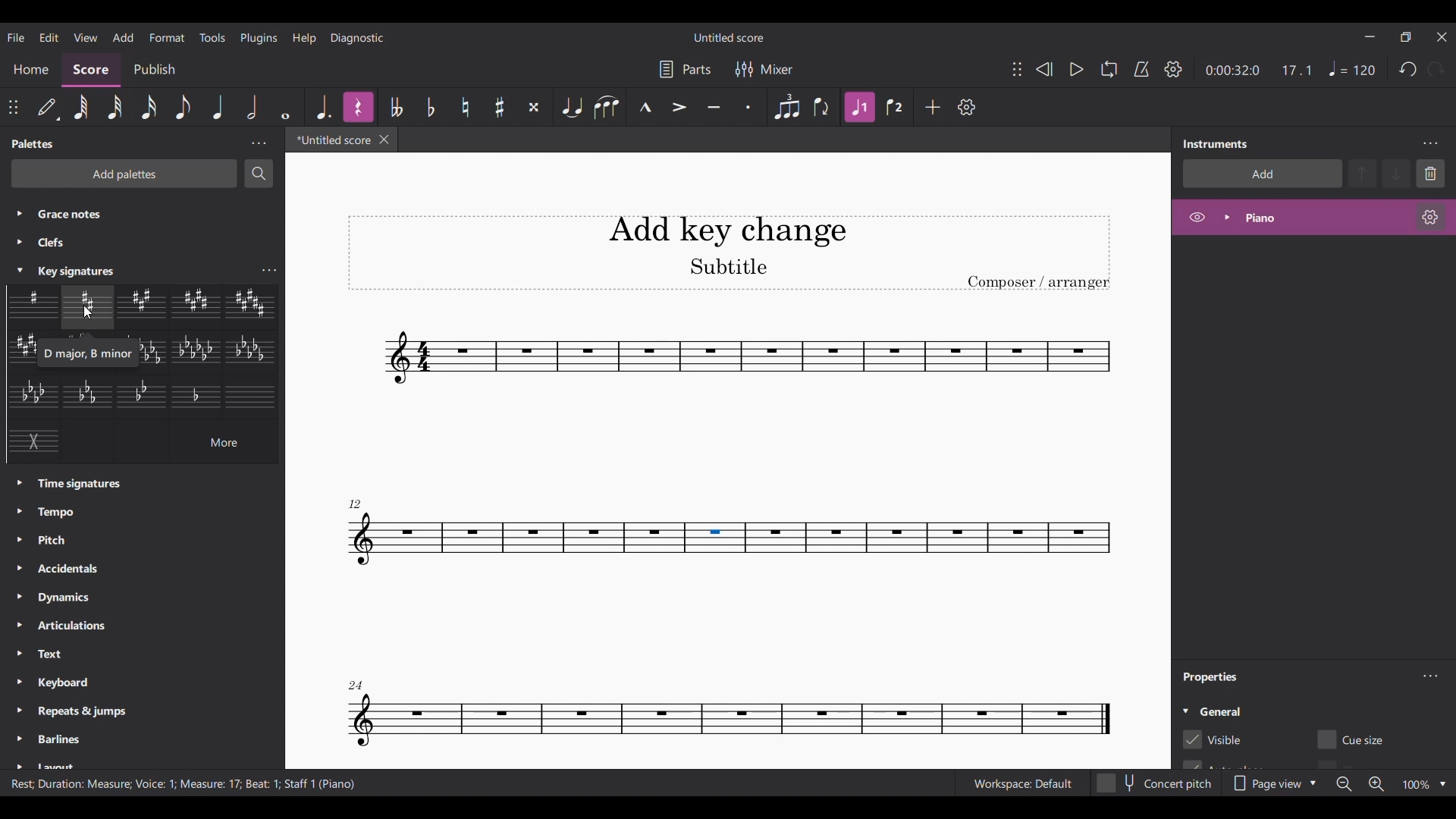 The width and height of the screenshot is (1456, 819). Describe the element at coordinates (787, 107) in the screenshot. I see `Tuplet` at that location.